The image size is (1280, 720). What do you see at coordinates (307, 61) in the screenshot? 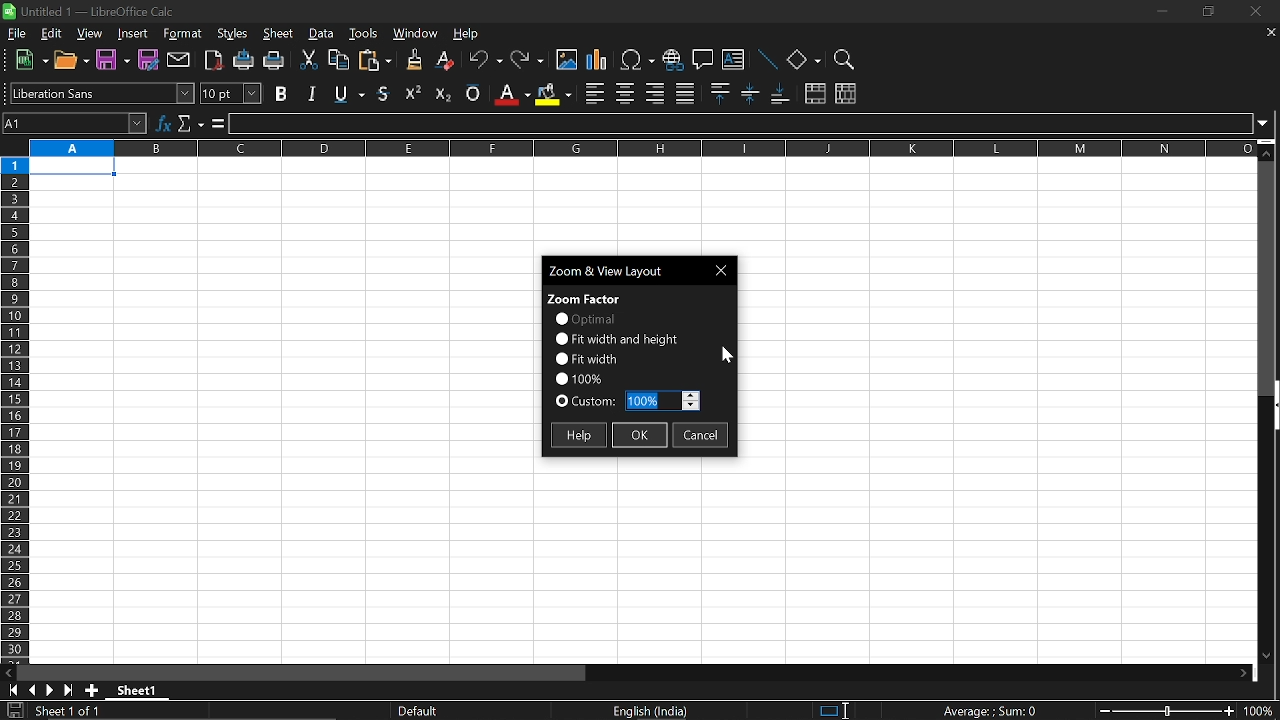
I see `cut` at bounding box center [307, 61].